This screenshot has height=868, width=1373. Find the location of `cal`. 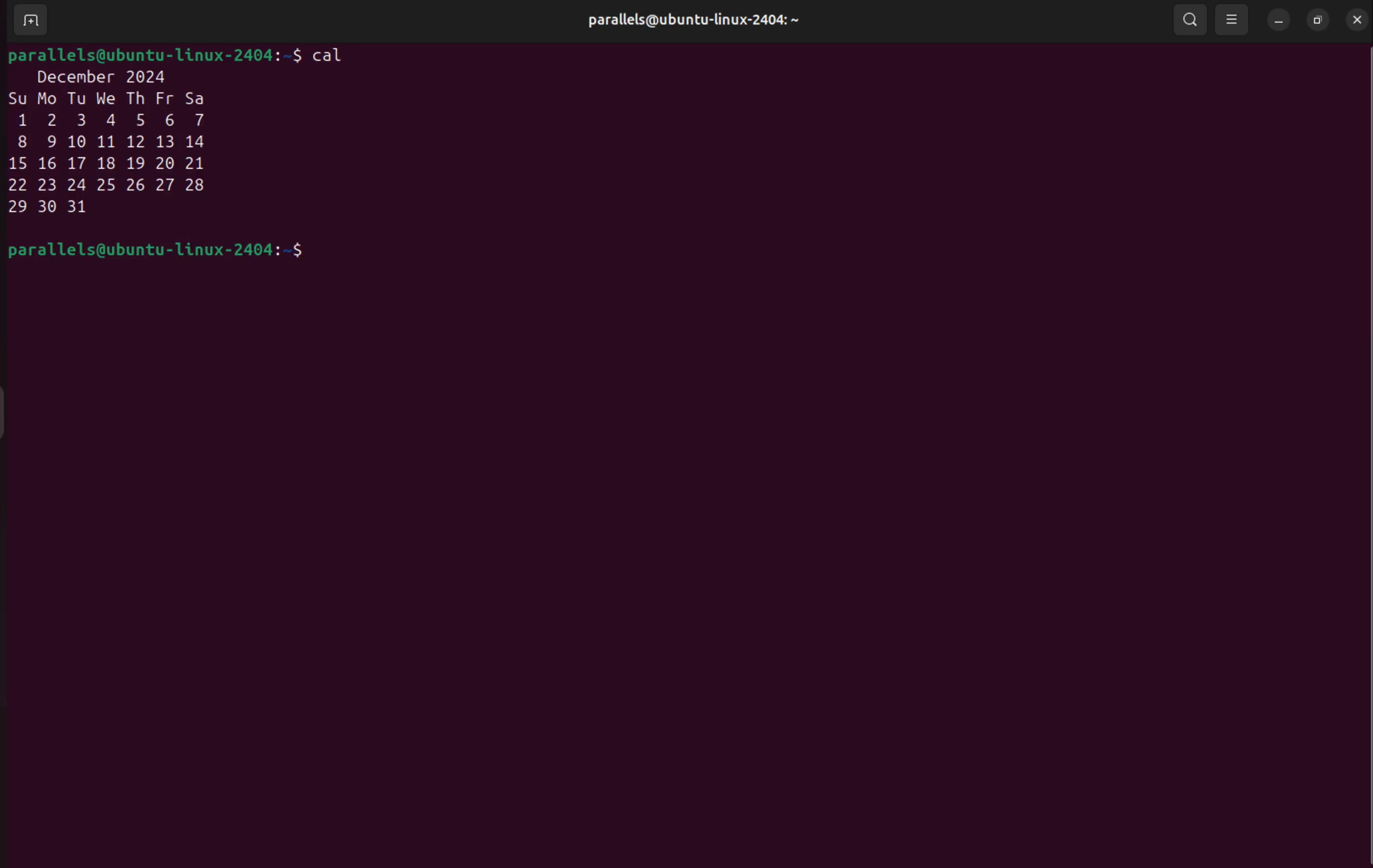

cal is located at coordinates (331, 56).